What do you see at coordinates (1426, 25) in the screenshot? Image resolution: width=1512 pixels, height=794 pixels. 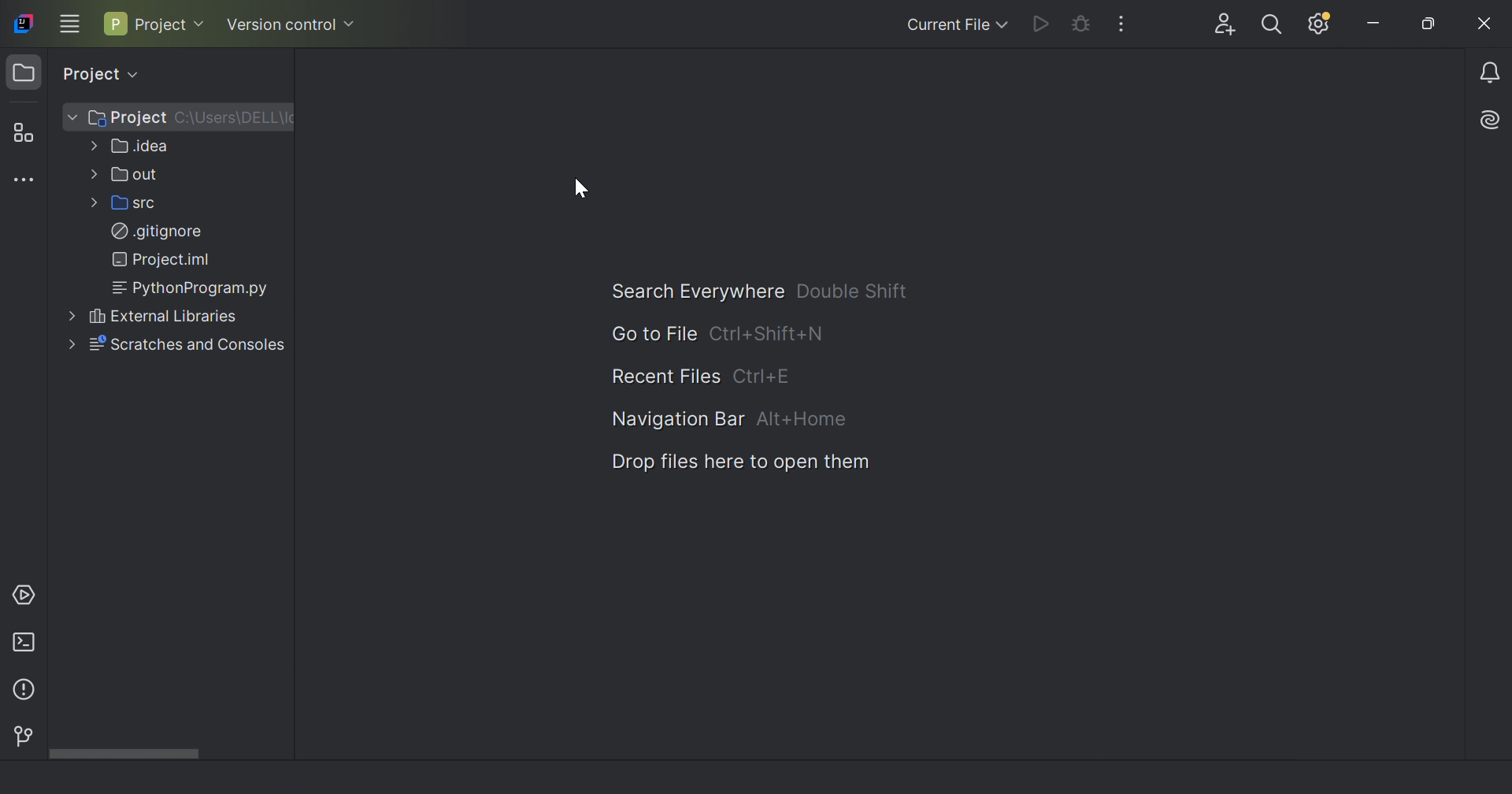 I see `Restore down` at bounding box center [1426, 25].